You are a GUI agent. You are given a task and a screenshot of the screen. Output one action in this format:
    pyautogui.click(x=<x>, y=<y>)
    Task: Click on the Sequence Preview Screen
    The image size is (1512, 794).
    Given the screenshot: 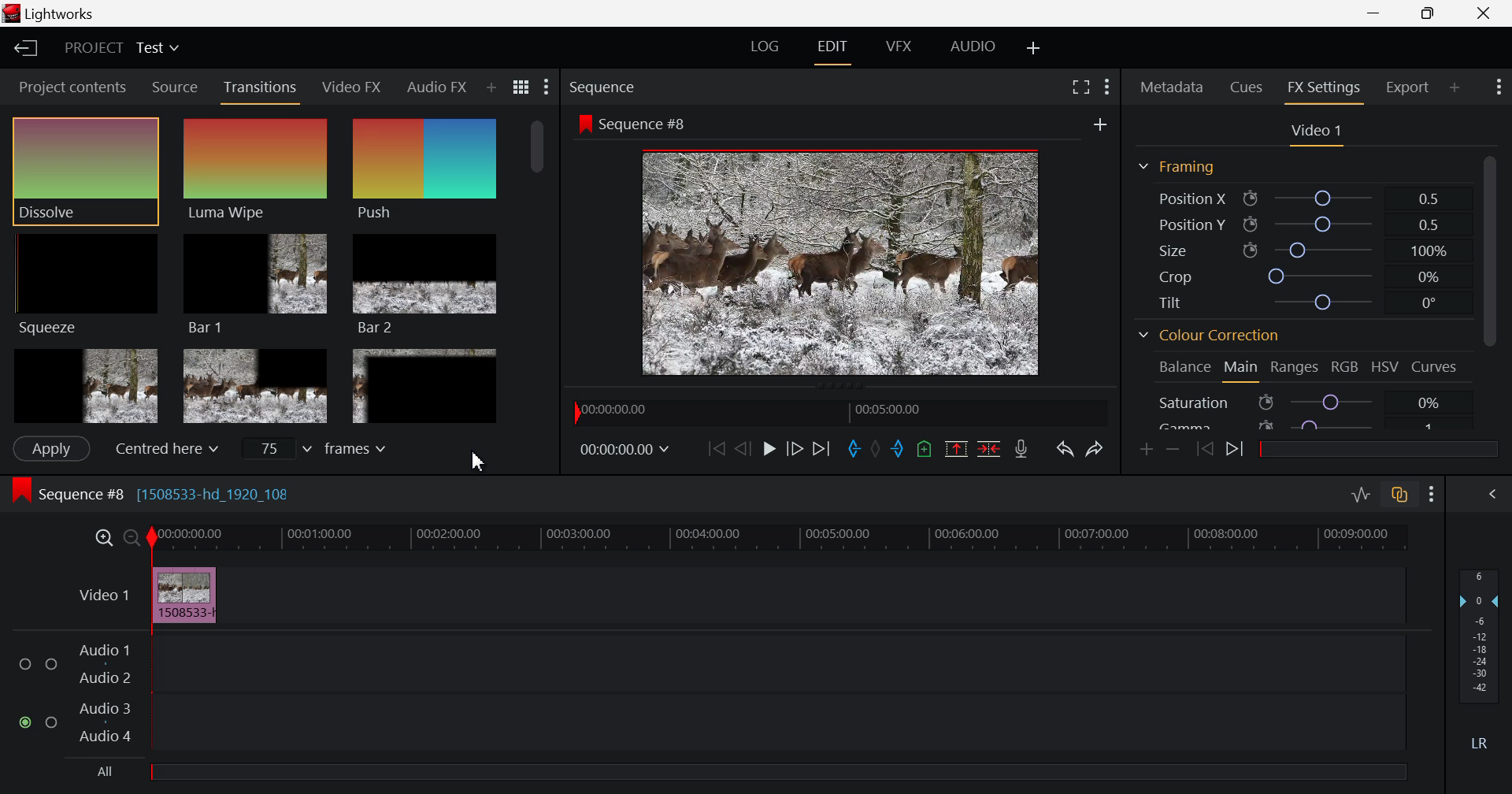 What is the action you would take?
    pyautogui.click(x=844, y=262)
    